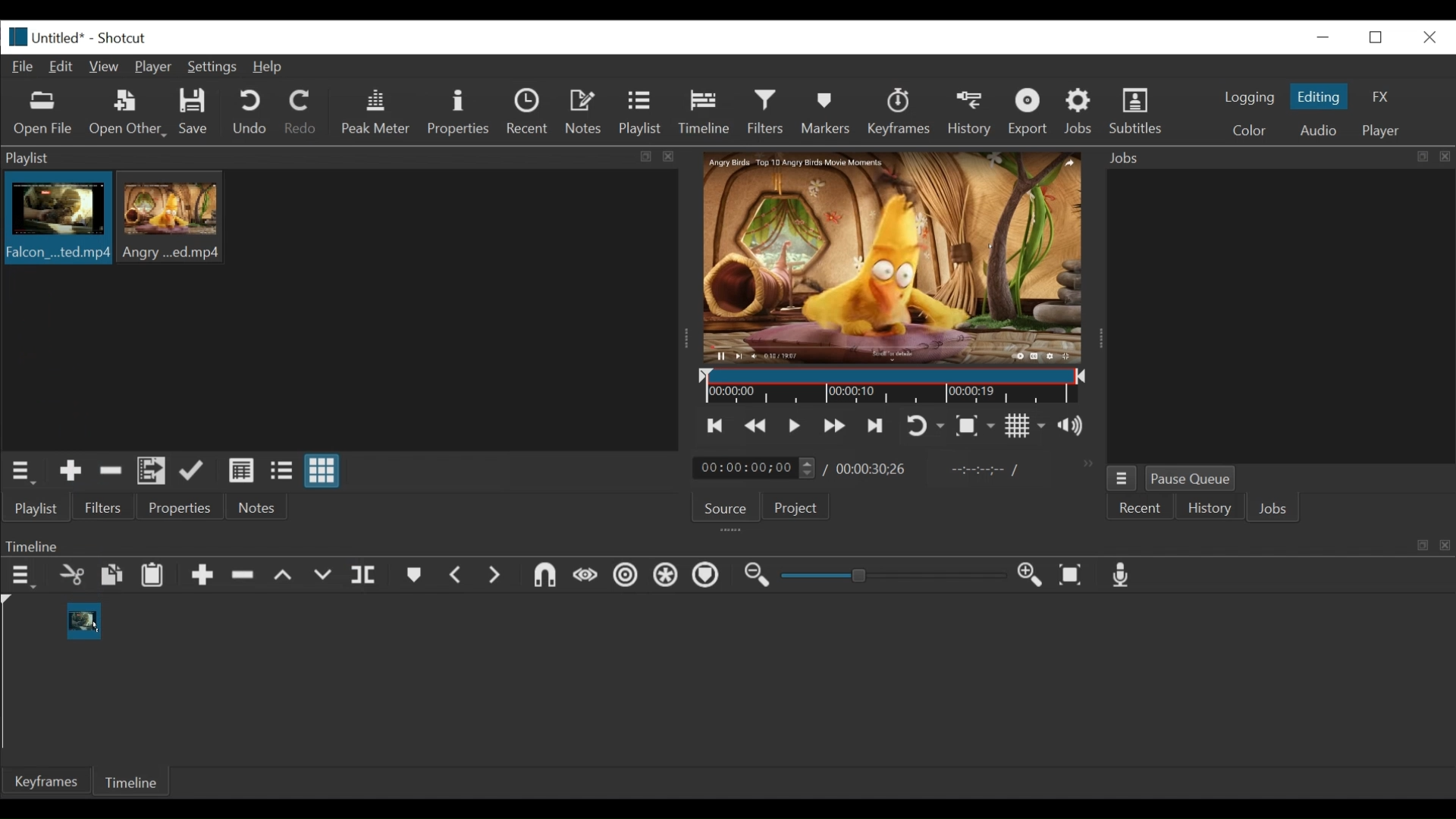 Image resolution: width=1456 pixels, height=819 pixels. What do you see at coordinates (26, 67) in the screenshot?
I see `File` at bounding box center [26, 67].